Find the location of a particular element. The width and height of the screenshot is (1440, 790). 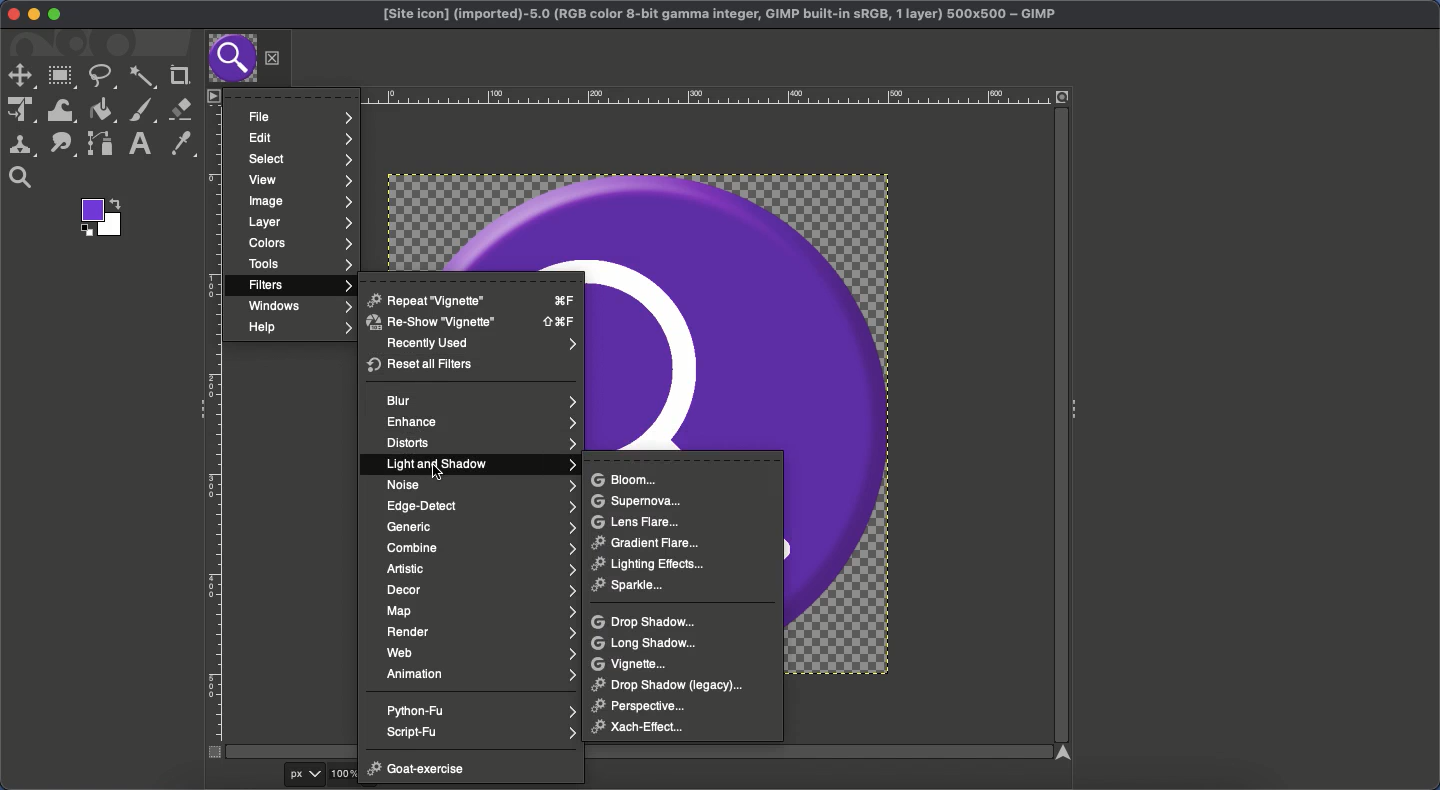

Move tool is located at coordinates (20, 76).